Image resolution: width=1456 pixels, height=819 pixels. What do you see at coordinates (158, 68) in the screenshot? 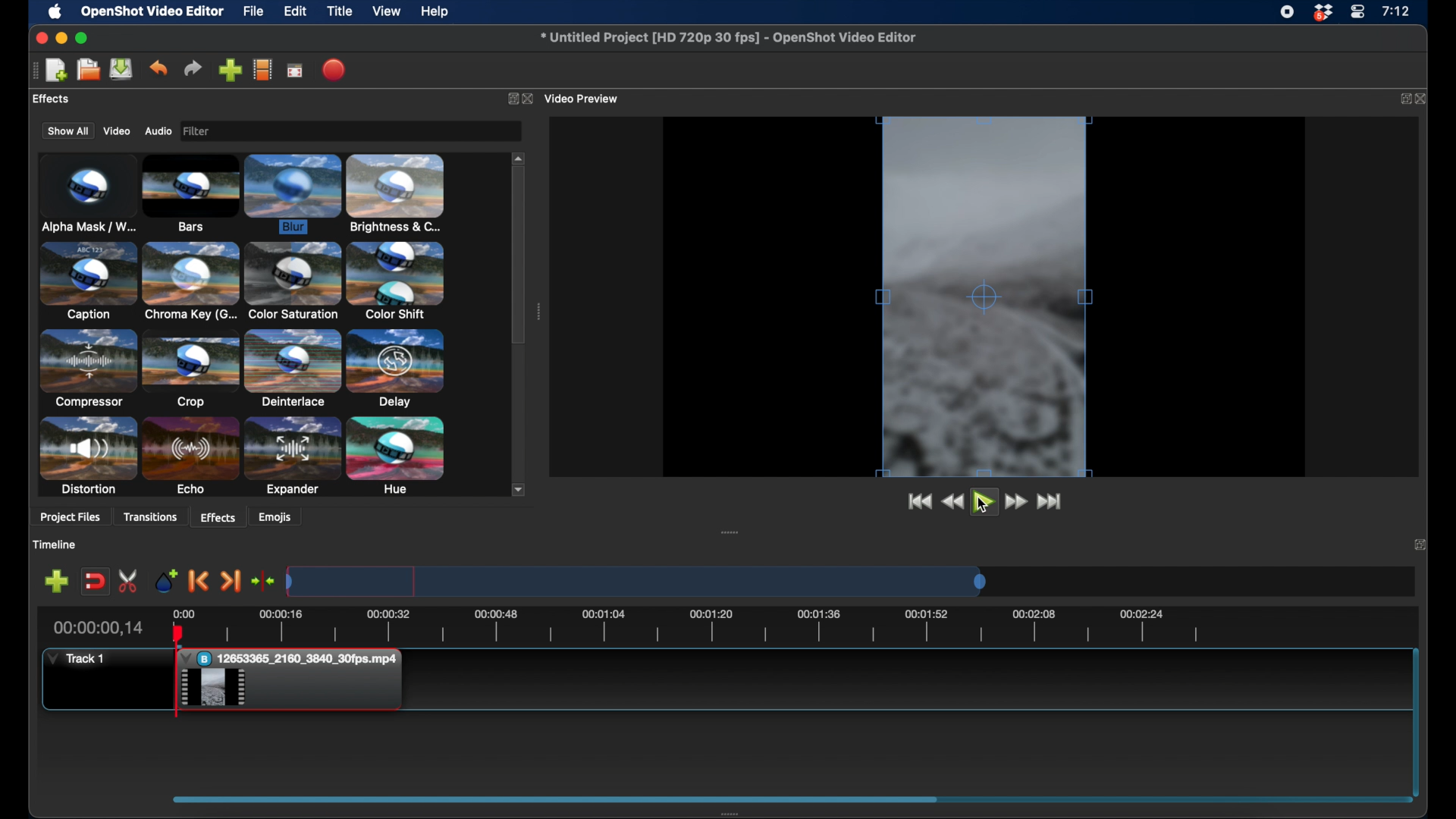
I see `undo` at bounding box center [158, 68].